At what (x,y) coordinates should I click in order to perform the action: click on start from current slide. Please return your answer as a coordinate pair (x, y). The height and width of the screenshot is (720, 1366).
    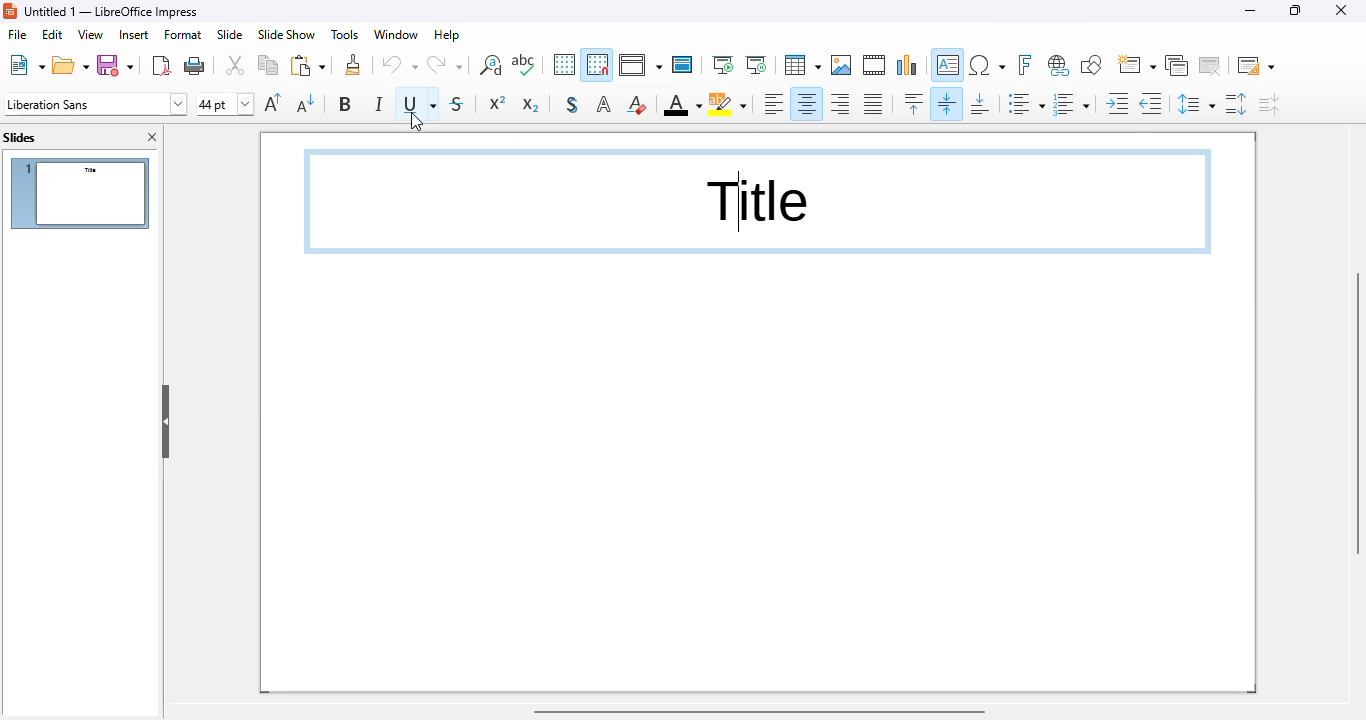
    Looking at the image, I should click on (756, 65).